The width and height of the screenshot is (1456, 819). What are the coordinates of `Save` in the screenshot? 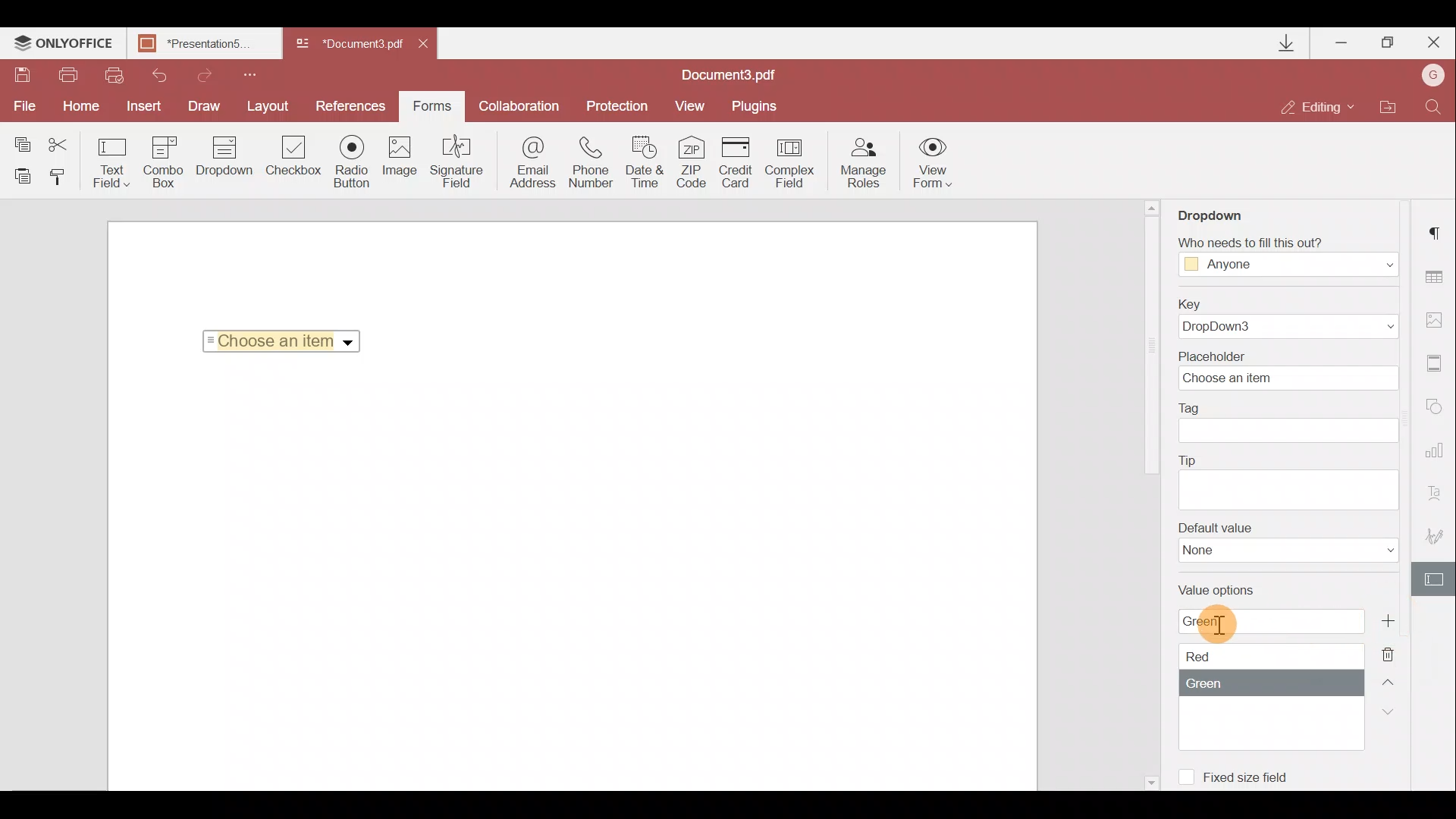 It's located at (22, 75).